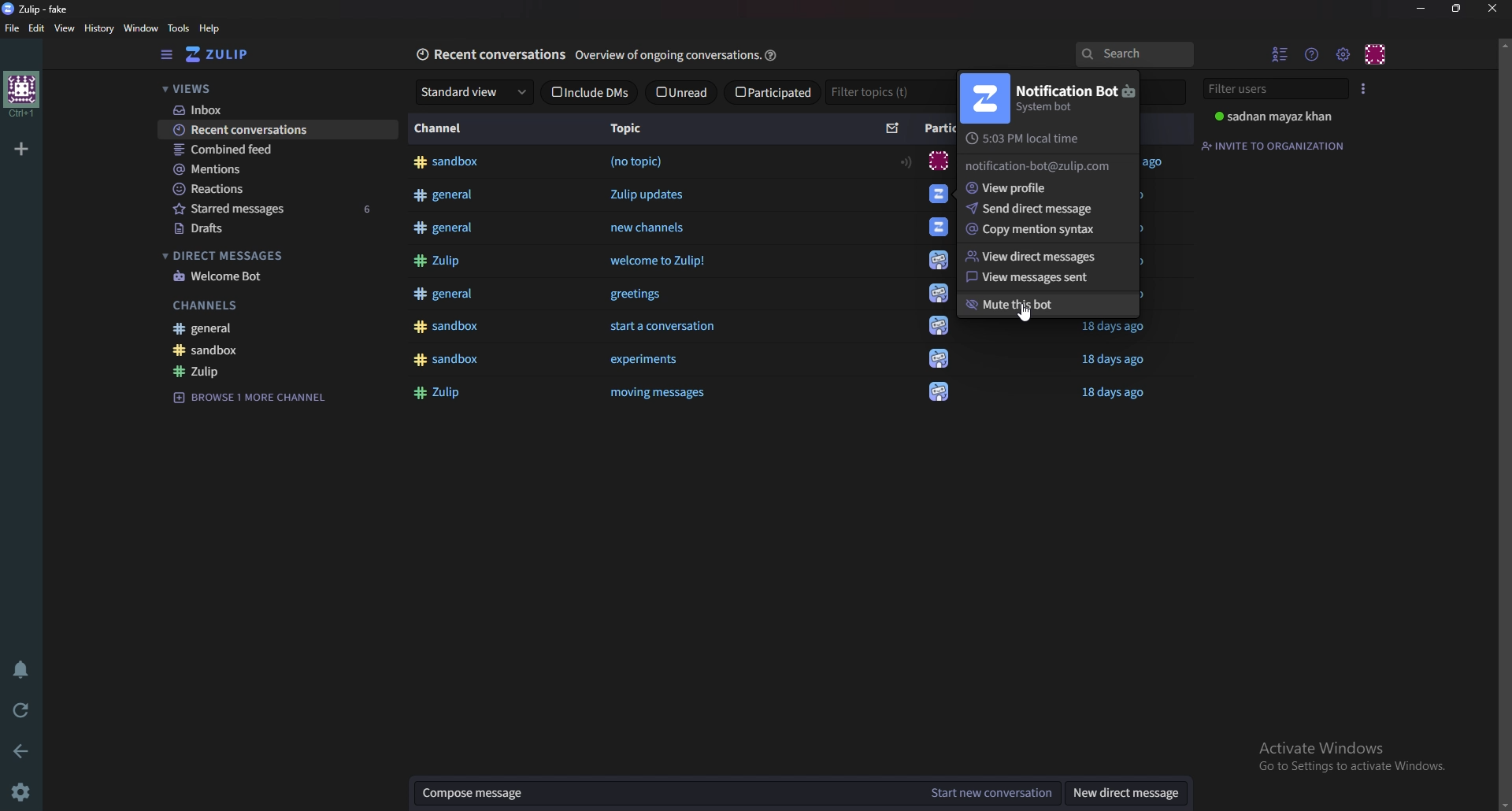 The width and height of the screenshot is (1512, 811). I want to click on Starred messages, so click(272, 209).